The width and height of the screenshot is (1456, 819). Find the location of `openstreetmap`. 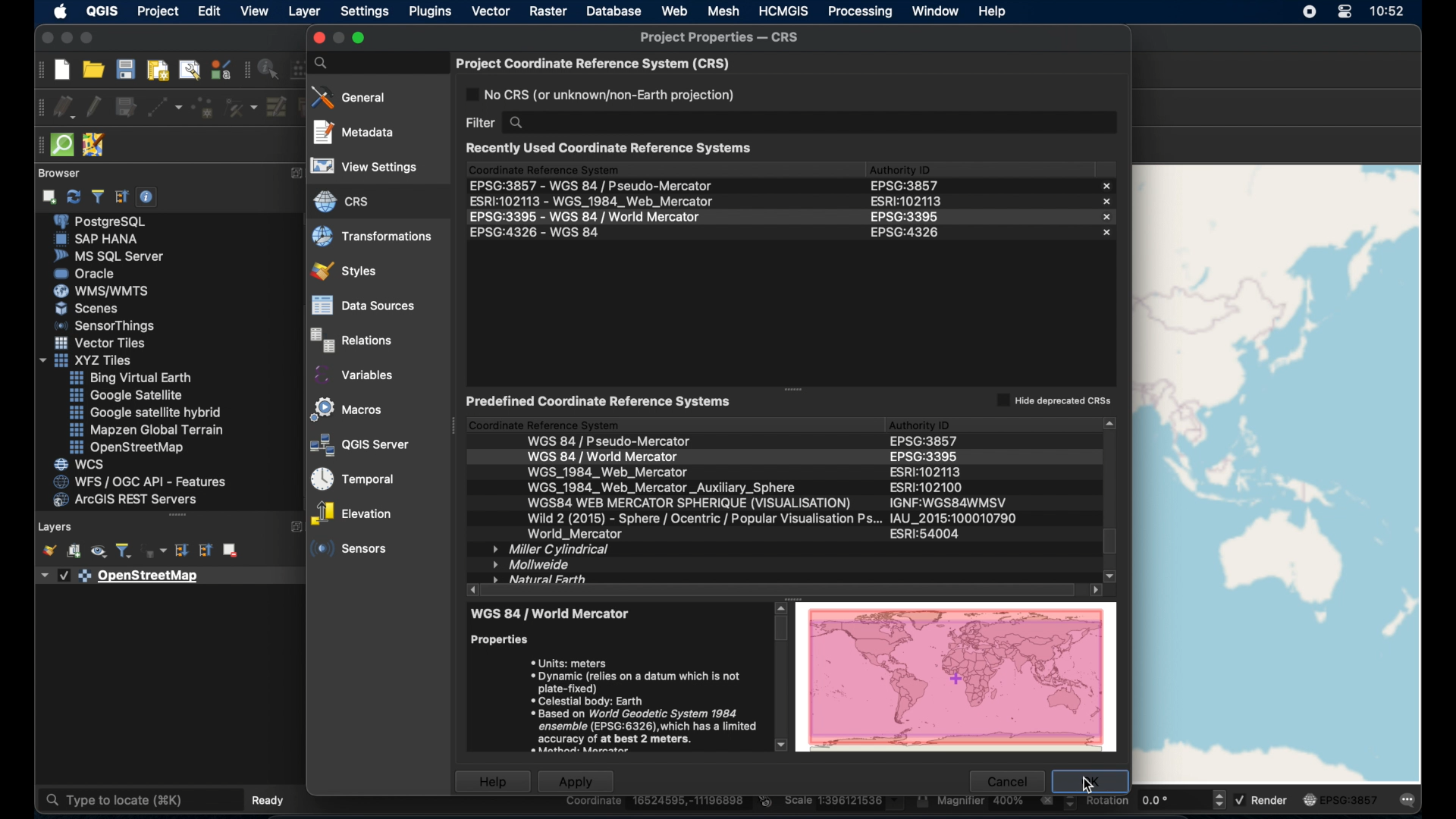

openstreetmap is located at coordinates (133, 448).